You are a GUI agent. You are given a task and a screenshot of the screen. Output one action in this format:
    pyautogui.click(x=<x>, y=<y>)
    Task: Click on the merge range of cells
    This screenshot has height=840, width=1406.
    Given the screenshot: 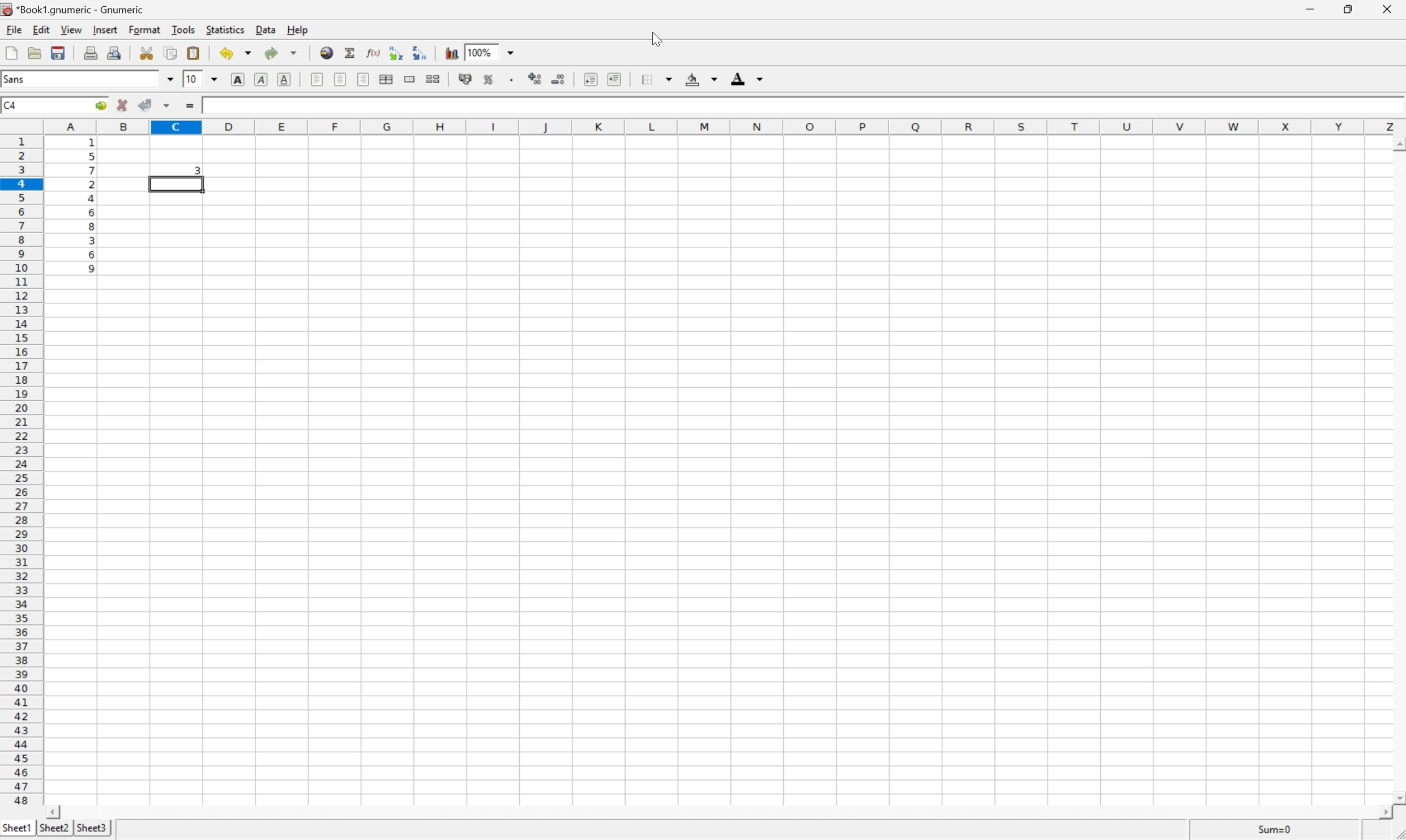 What is the action you would take?
    pyautogui.click(x=409, y=78)
    